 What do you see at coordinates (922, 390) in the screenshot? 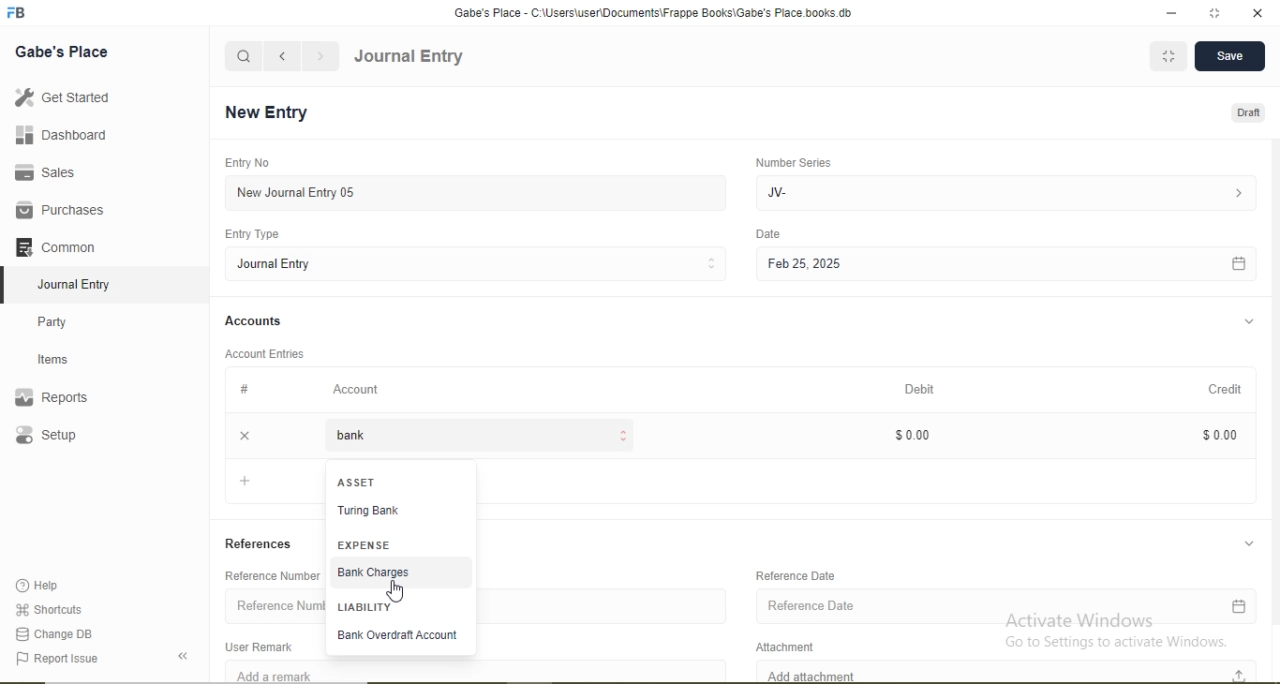
I see `Debit` at bounding box center [922, 390].